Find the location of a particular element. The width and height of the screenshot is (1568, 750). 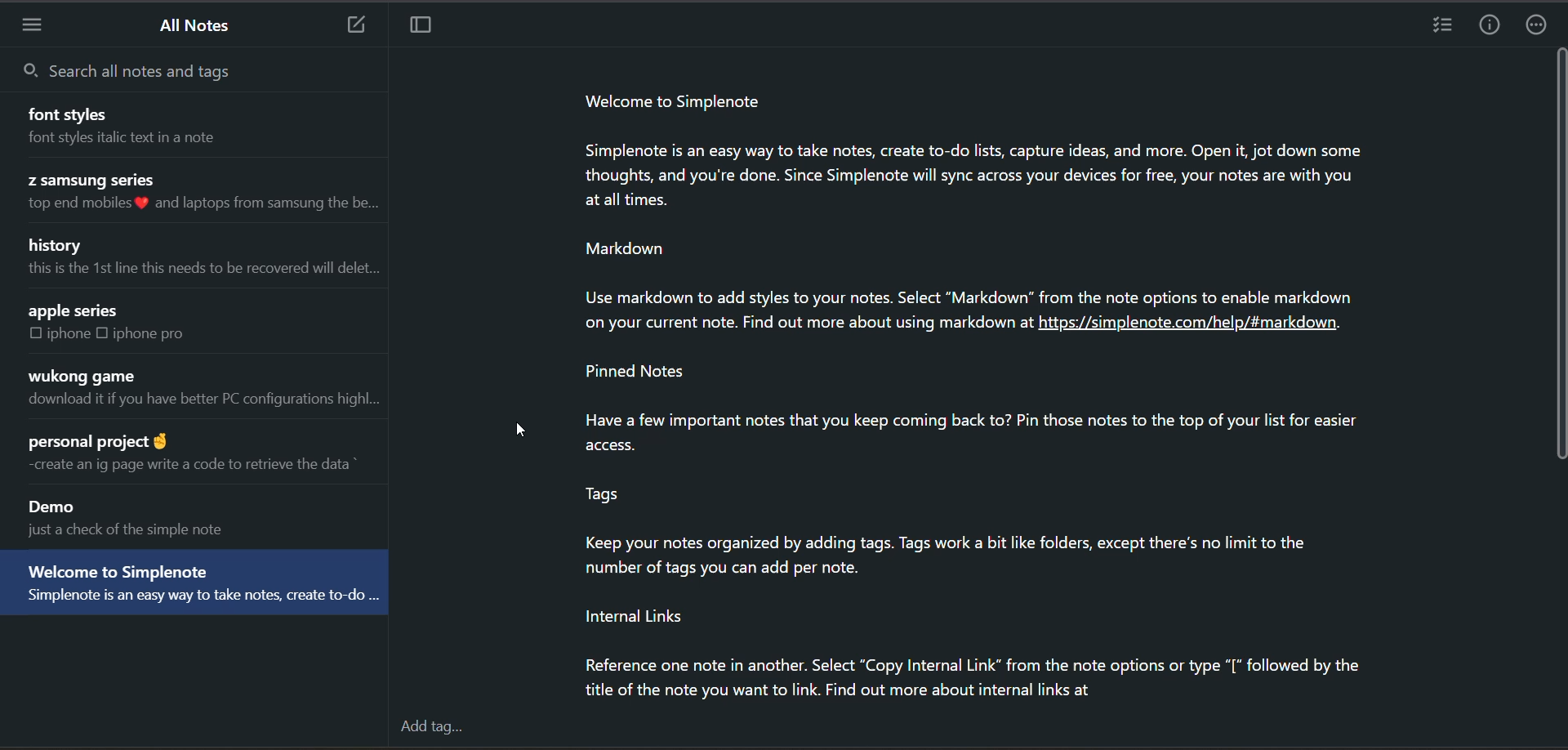

iphone is located at coordinates (70, 336).